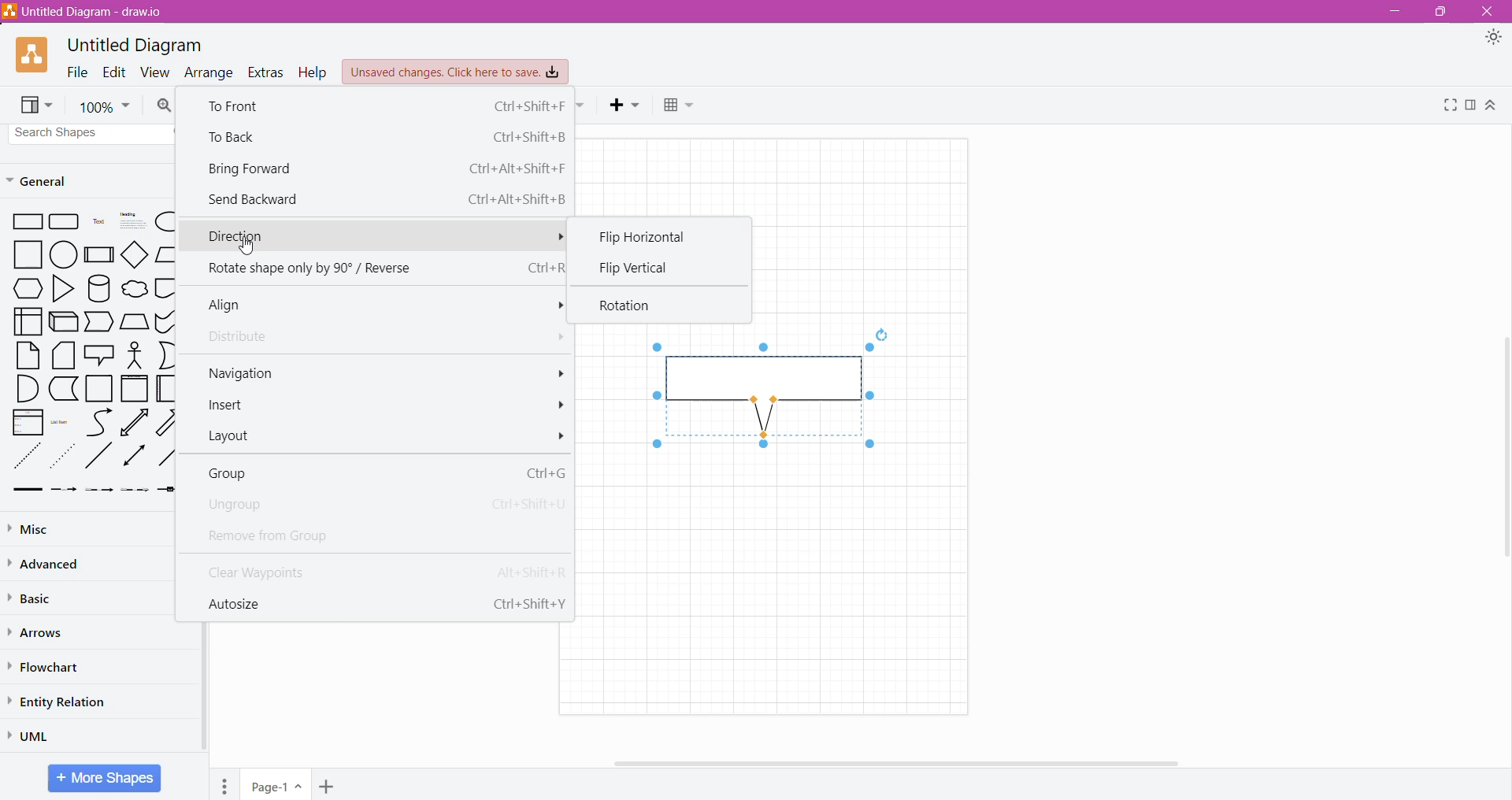 Image resolution: width=1512 pixels, height=800 pixels. What do you see at coordinates (47, 564) in the screenshot?
I see `Advanced` at bounding box center [47, 564].